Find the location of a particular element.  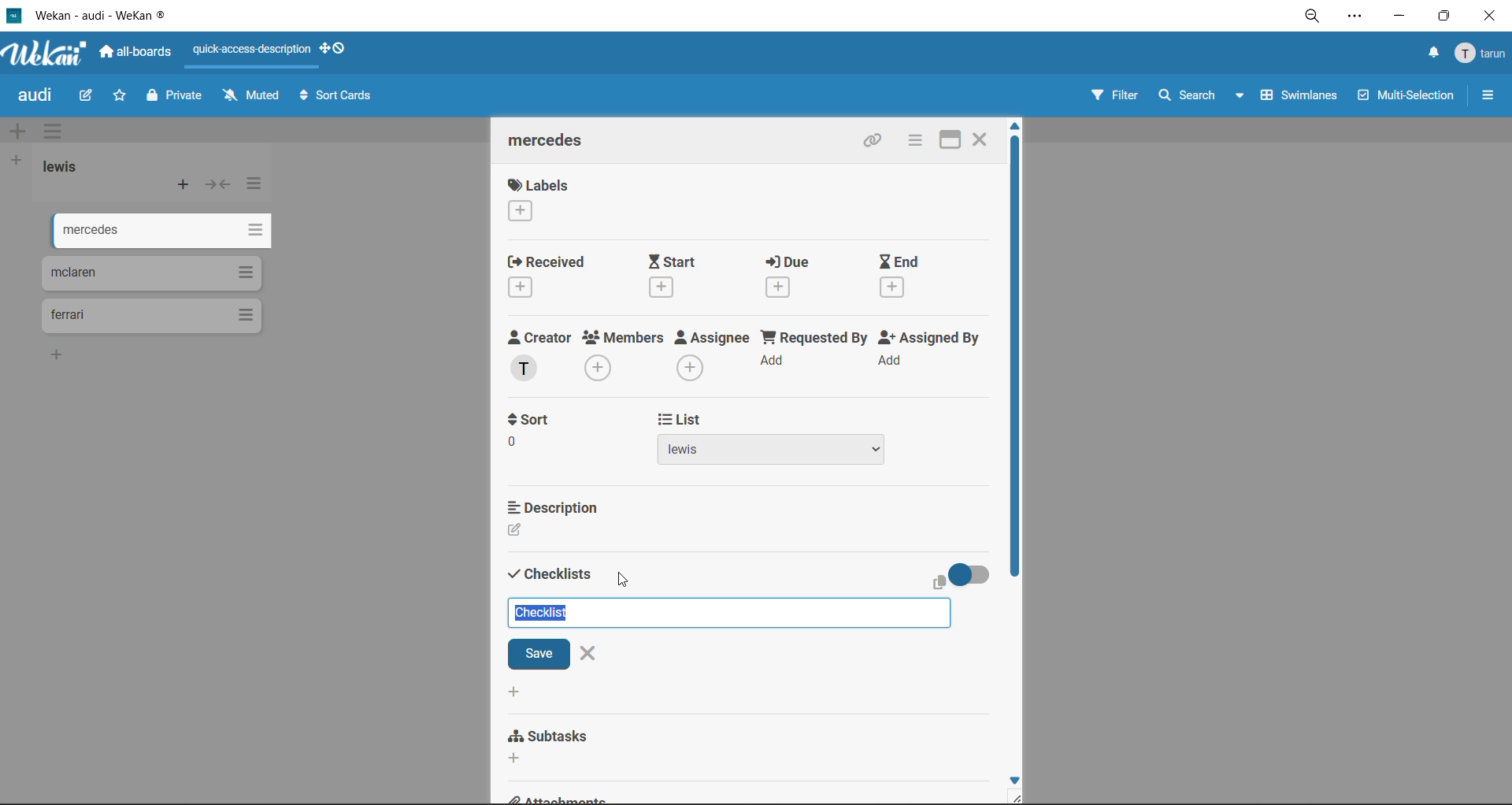

cards is located at coordinates (150, 273).